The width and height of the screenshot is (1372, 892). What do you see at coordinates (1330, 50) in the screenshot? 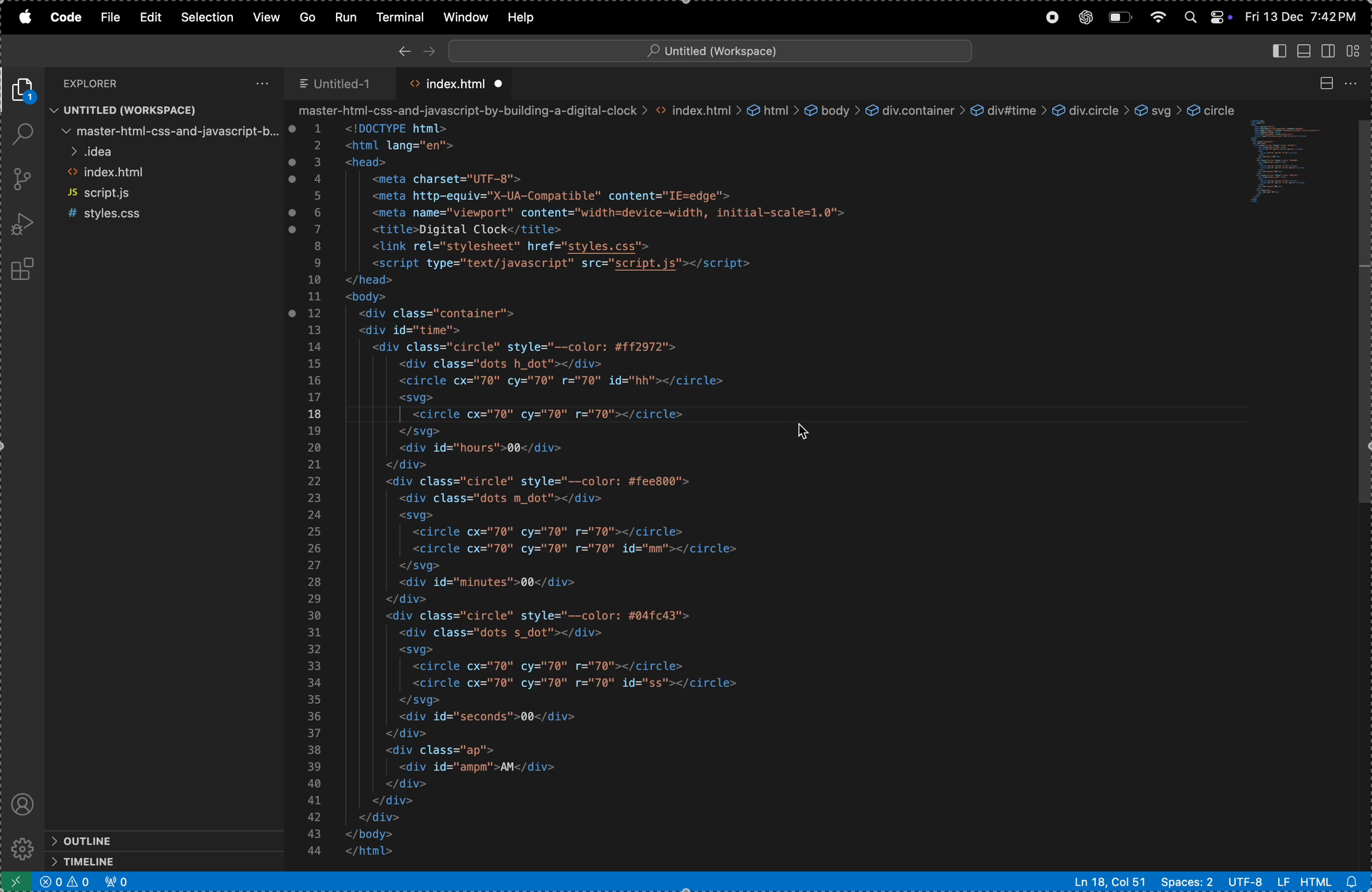
I see `toggle secondary side bar` at bounding box center [1330, 50].